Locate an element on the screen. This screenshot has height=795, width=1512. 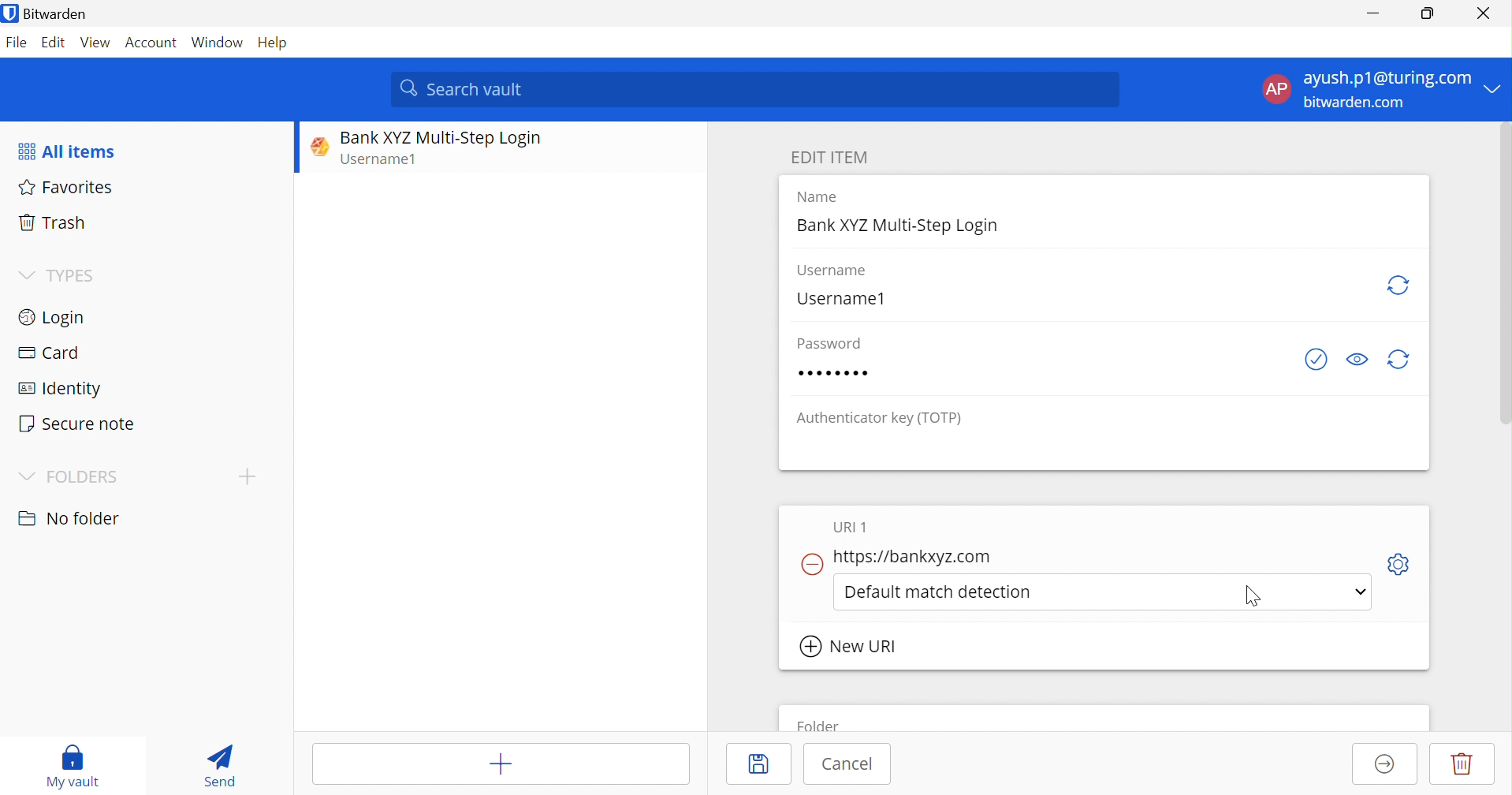
Drop Down is located at coordinates (25, 274).